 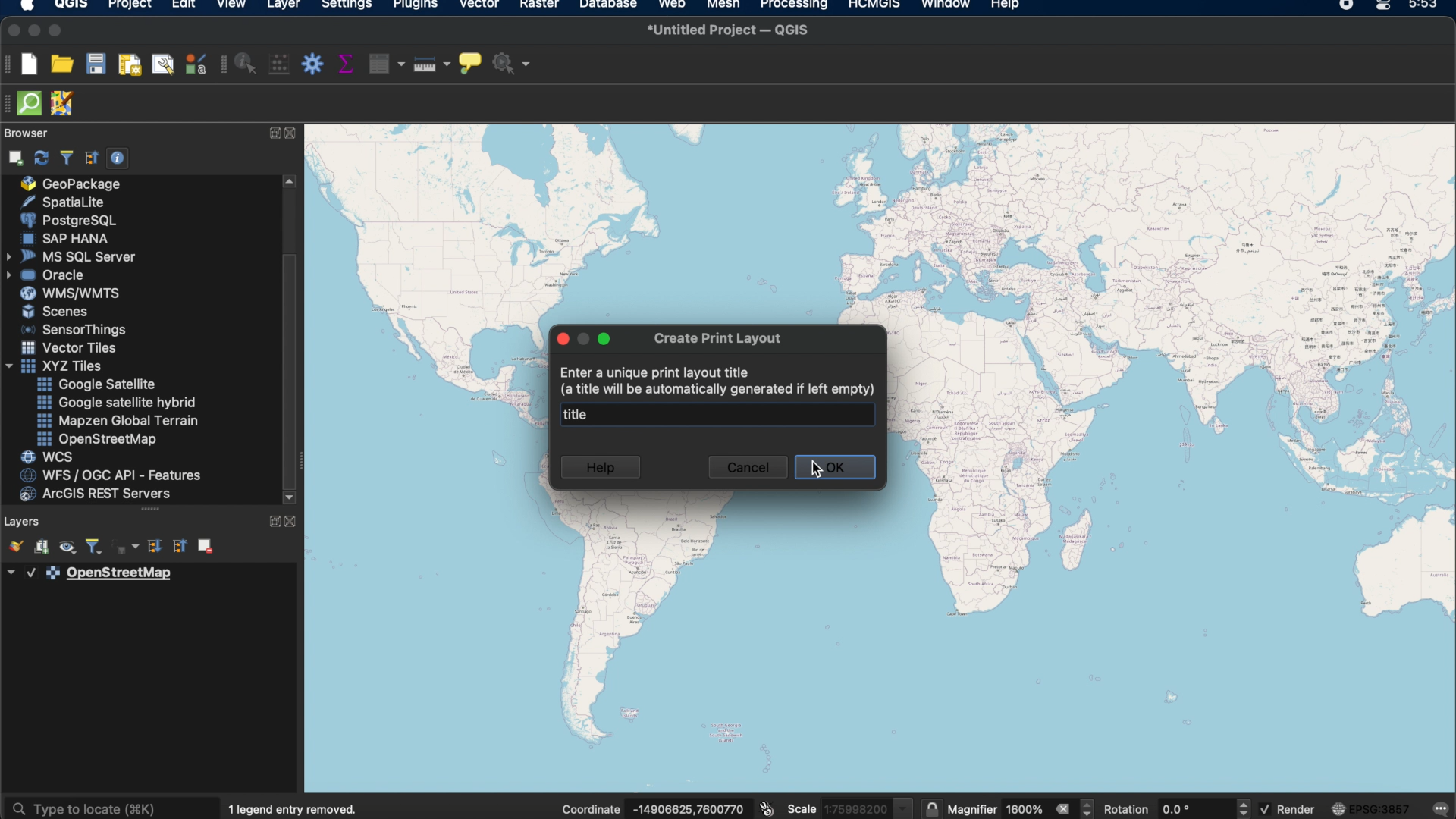 I want to click on scroll up arrow, so click(x=290, y=180).